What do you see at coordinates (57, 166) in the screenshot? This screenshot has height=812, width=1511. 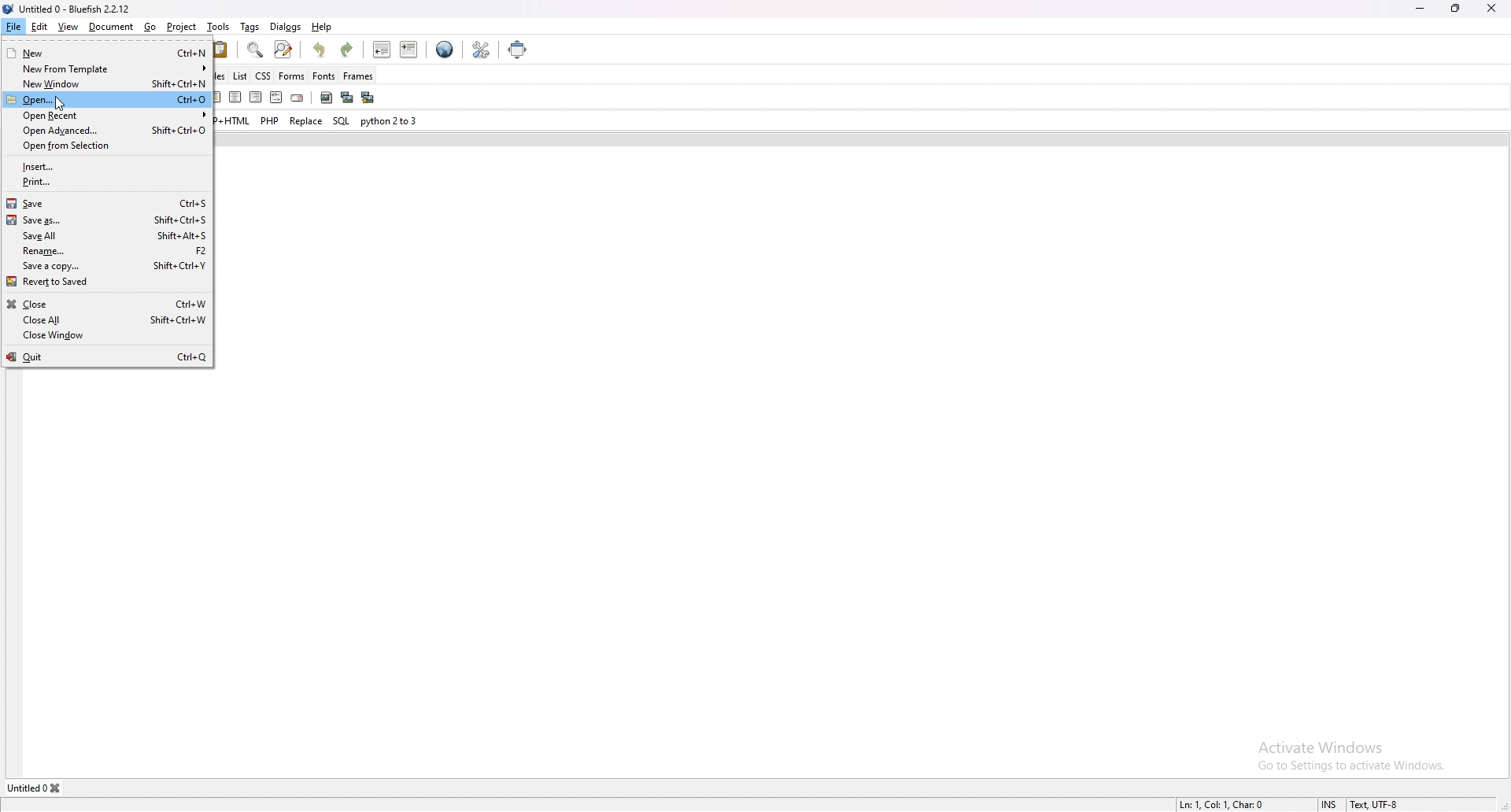 I see `insert` at bounding box center [57, 166].